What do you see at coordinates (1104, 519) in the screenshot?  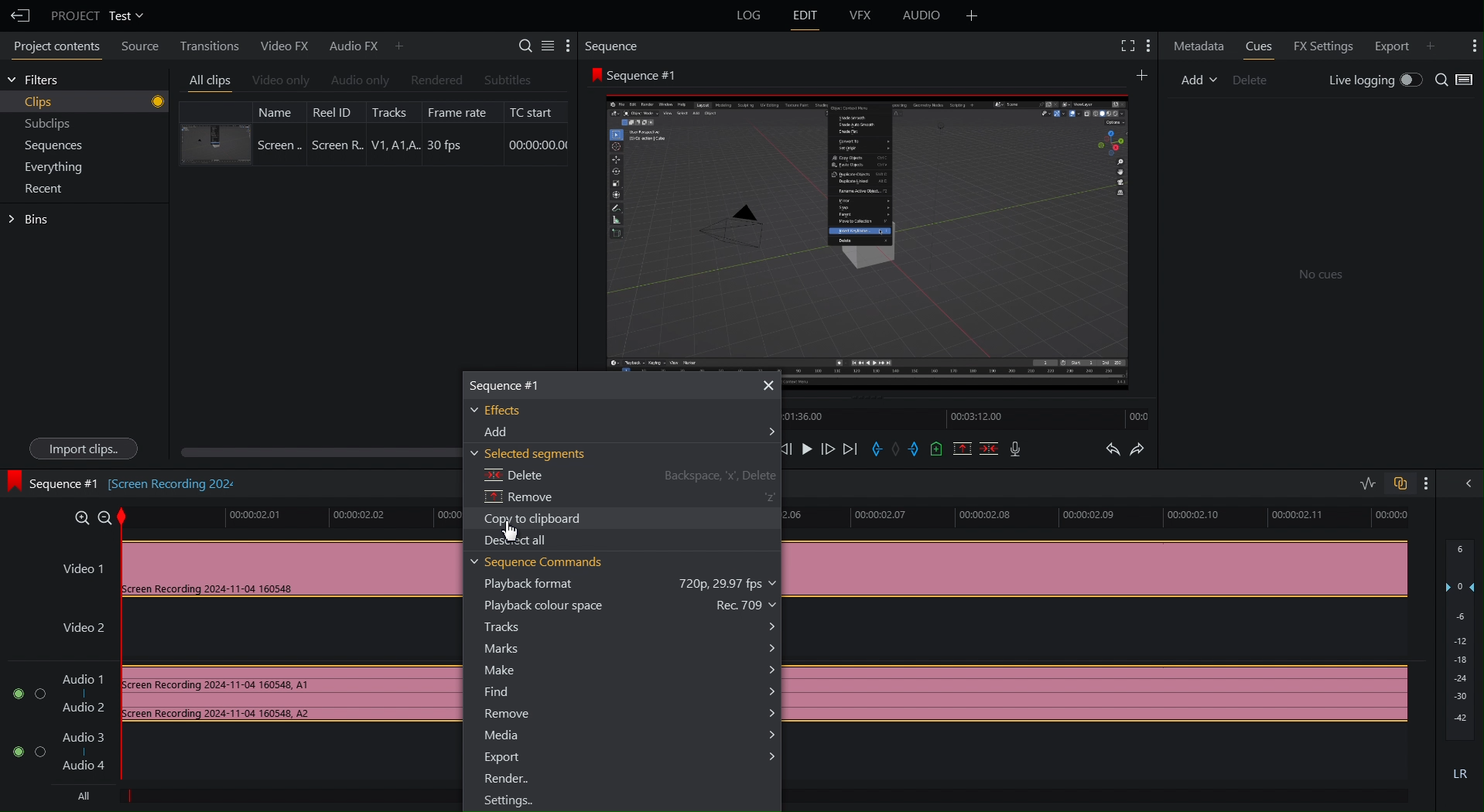 I see `Timeline` at bounding box center [1104, 519].